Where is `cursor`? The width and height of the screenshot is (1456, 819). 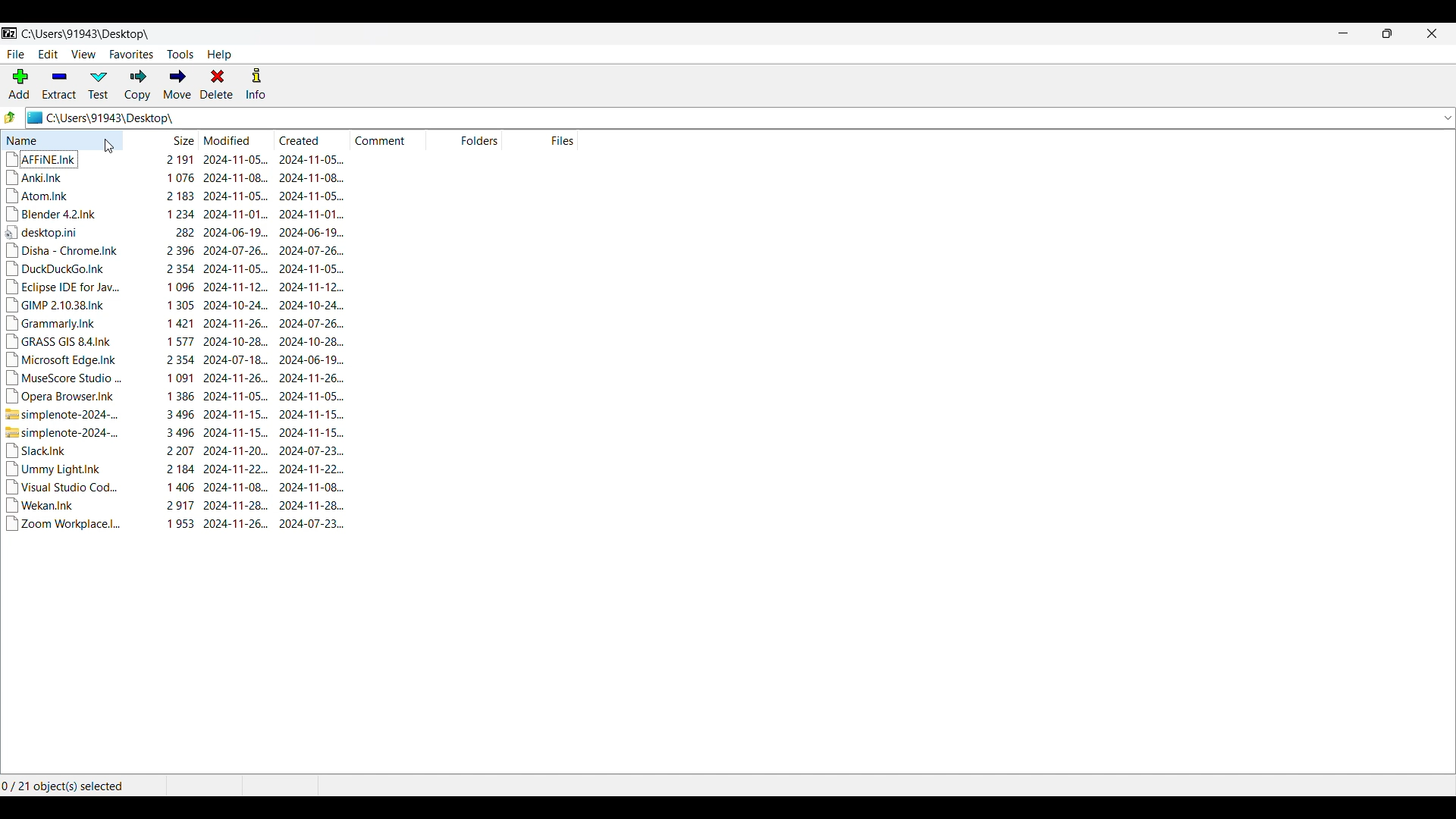
cursor is located at coordinates (112, 149).